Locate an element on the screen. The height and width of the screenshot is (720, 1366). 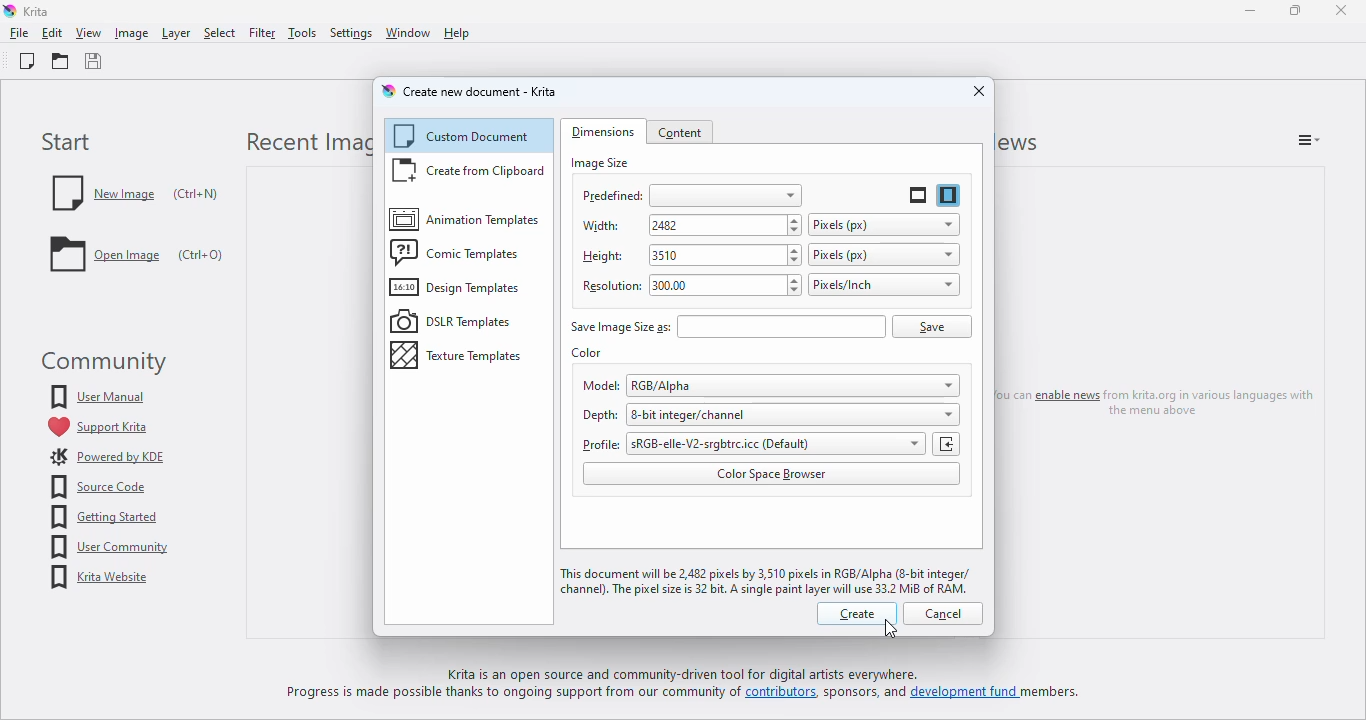
create new document is located at coordinates (26, 62).